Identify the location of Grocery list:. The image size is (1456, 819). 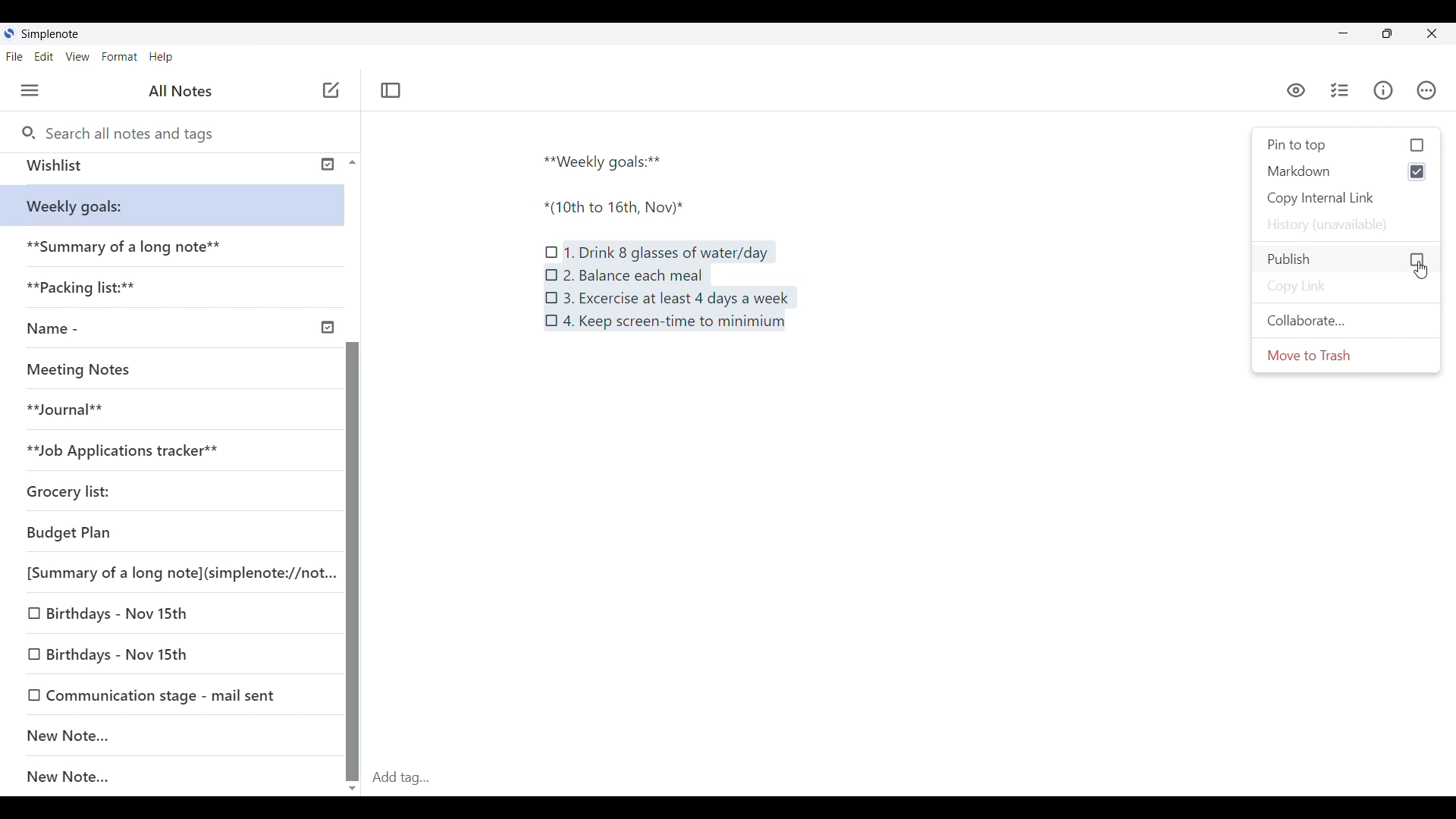
(92, 487).